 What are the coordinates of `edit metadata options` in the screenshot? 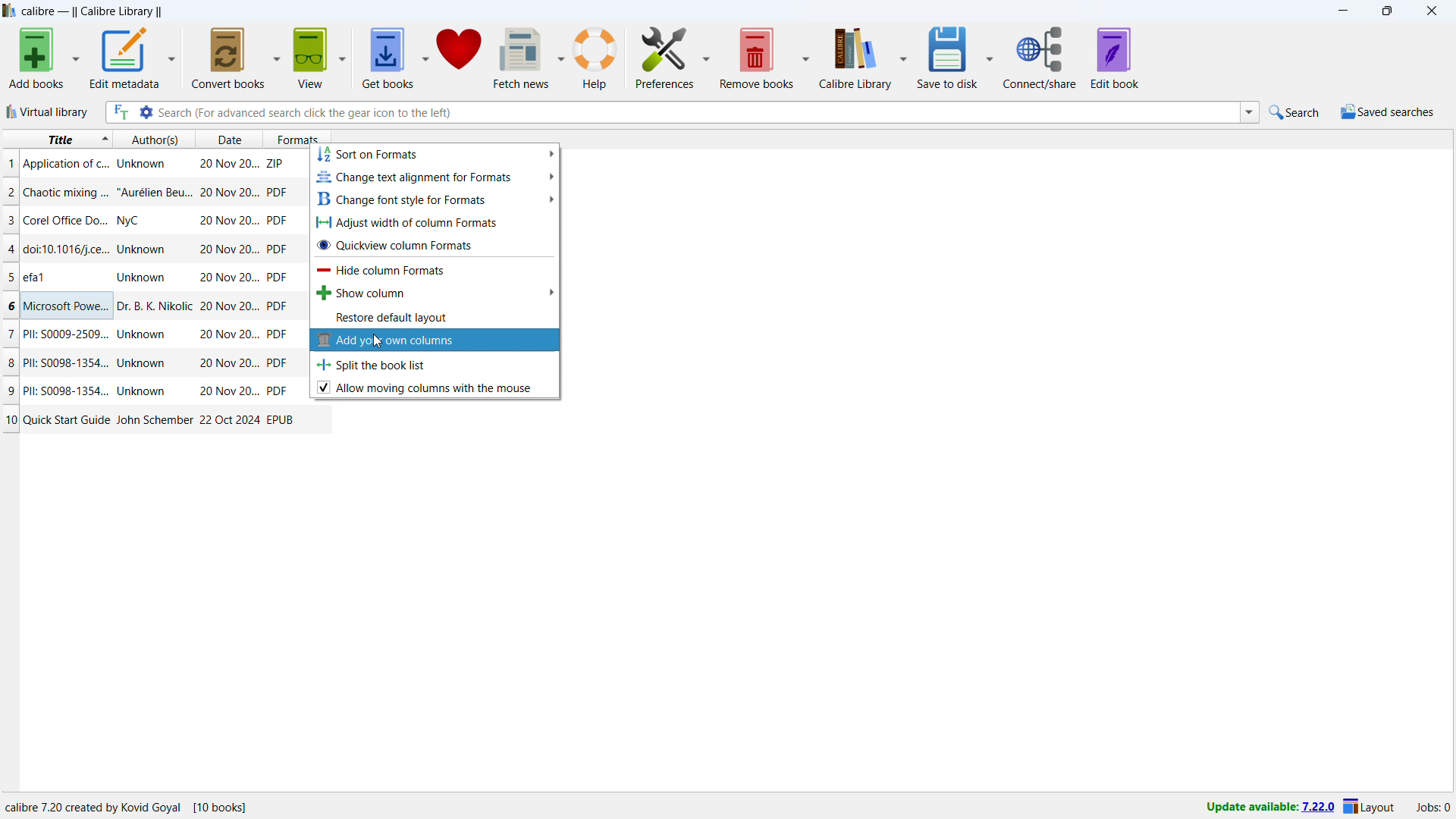 It's located at (172, 58).